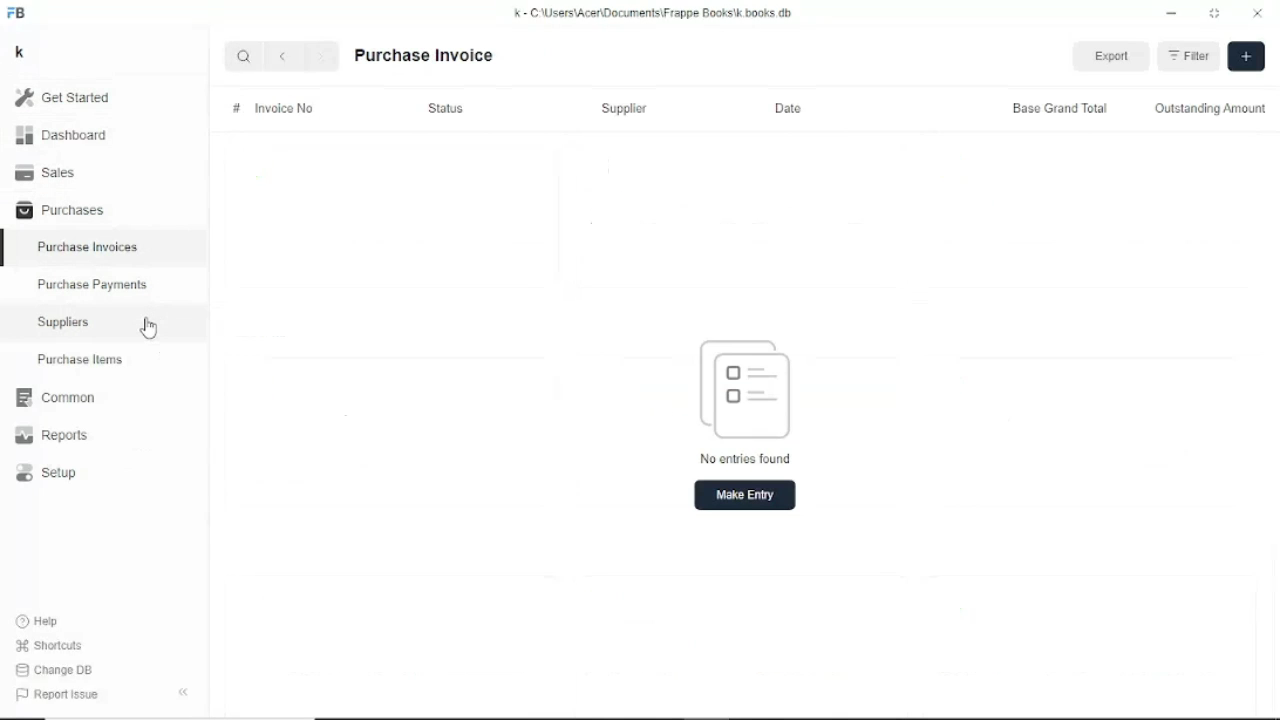  What do you see at coordinates (63, 97) in the screenshot?
I see `Get started` at bounding box center [63, 97].